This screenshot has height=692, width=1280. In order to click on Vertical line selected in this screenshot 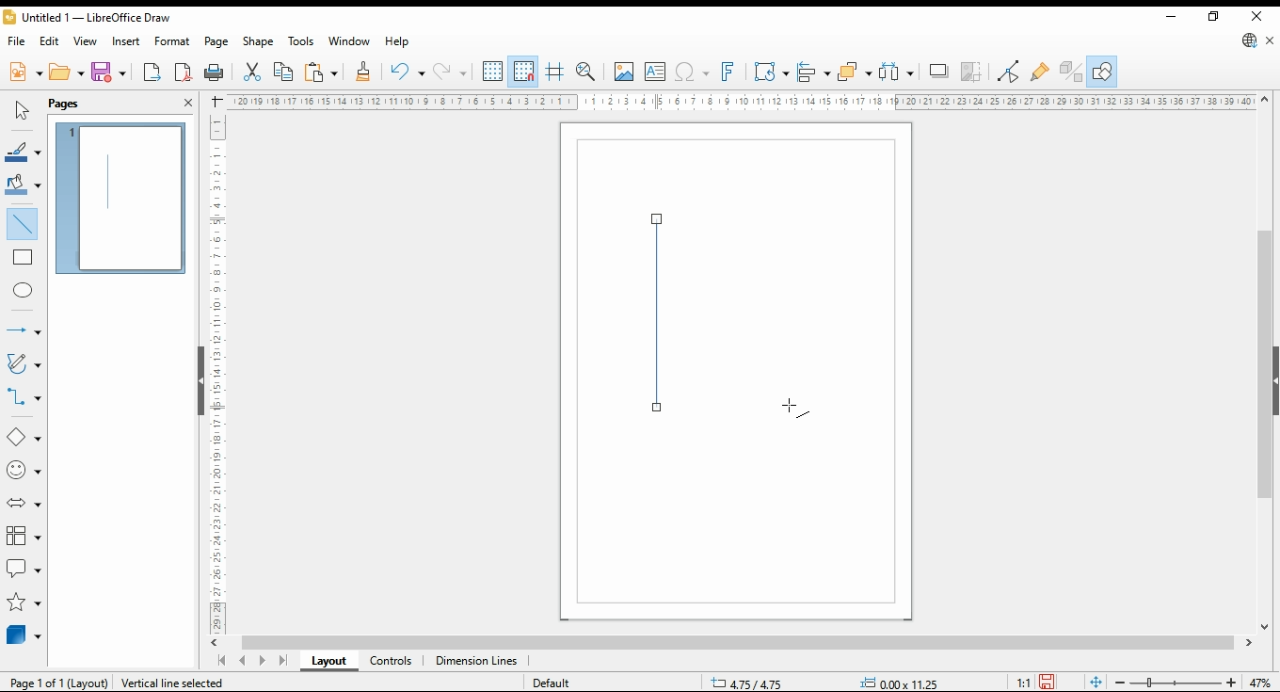, I will do `click(188, 681)`.